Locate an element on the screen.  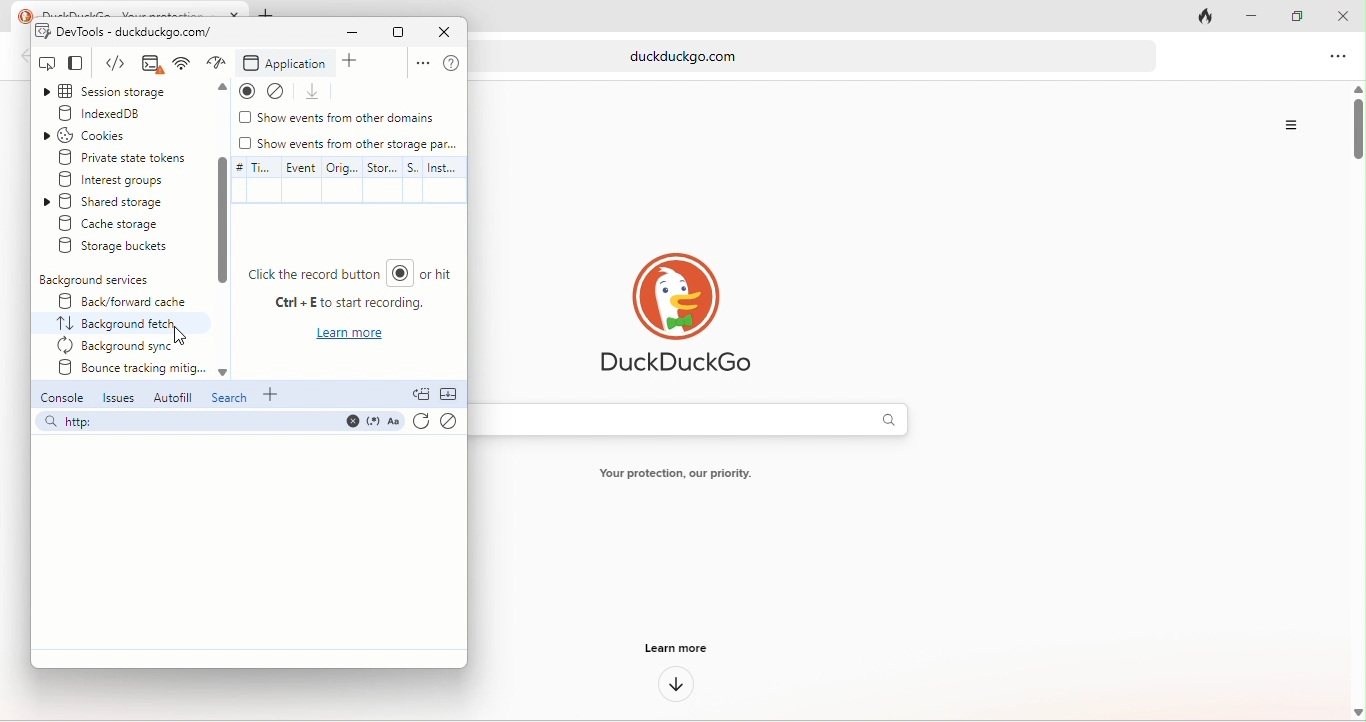
refresh is located at coordinates (421, 424).